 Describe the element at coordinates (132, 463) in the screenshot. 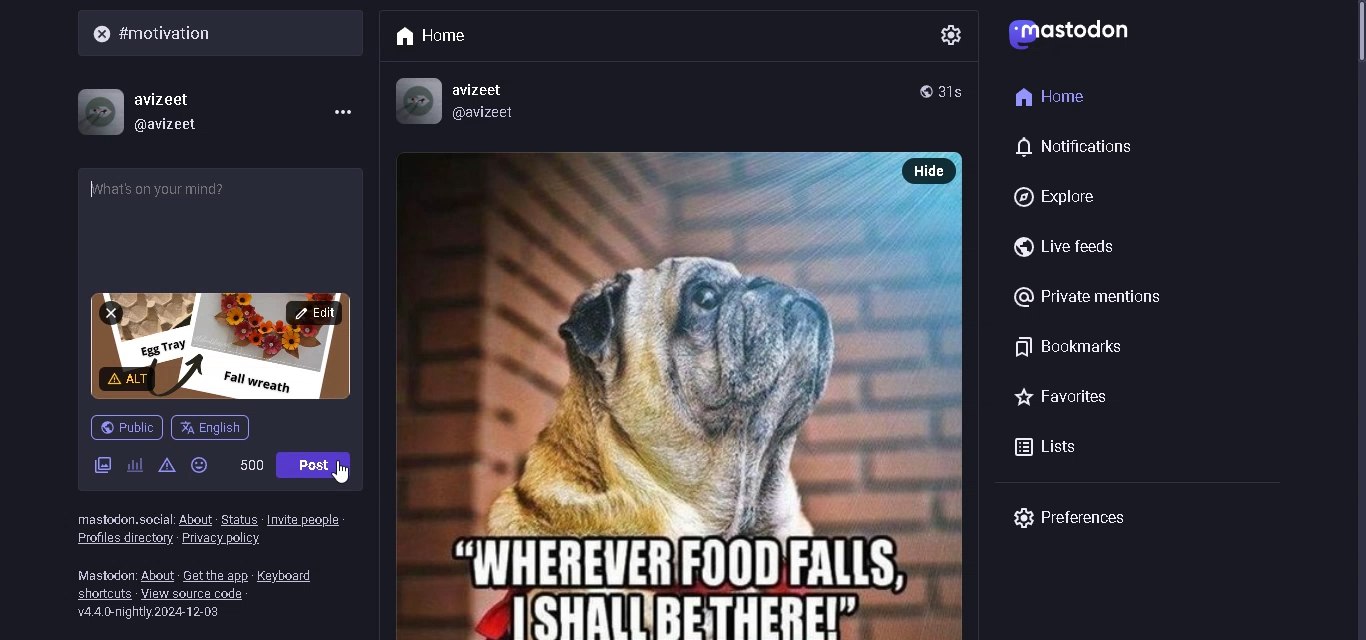

I see `add poll` at that location.